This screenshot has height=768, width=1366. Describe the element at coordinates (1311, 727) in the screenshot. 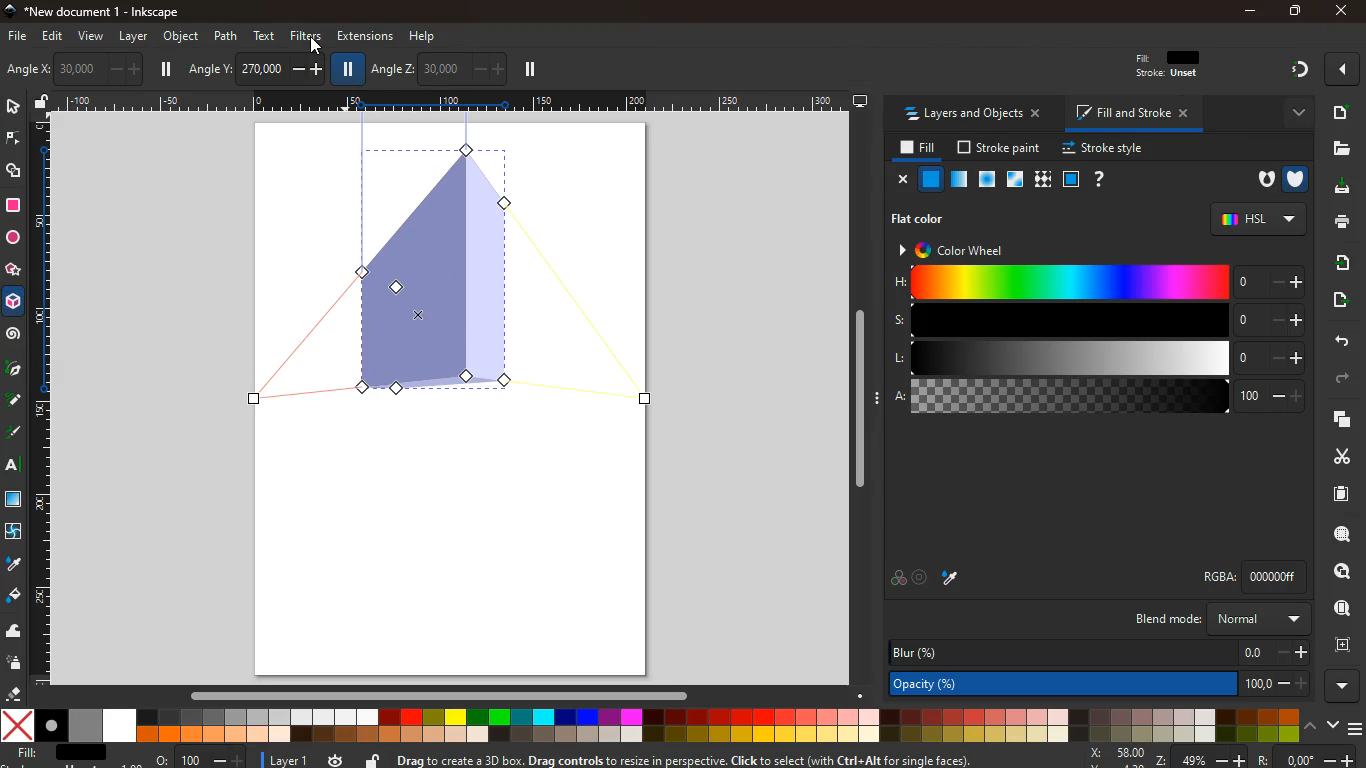

I see `up` at that location.